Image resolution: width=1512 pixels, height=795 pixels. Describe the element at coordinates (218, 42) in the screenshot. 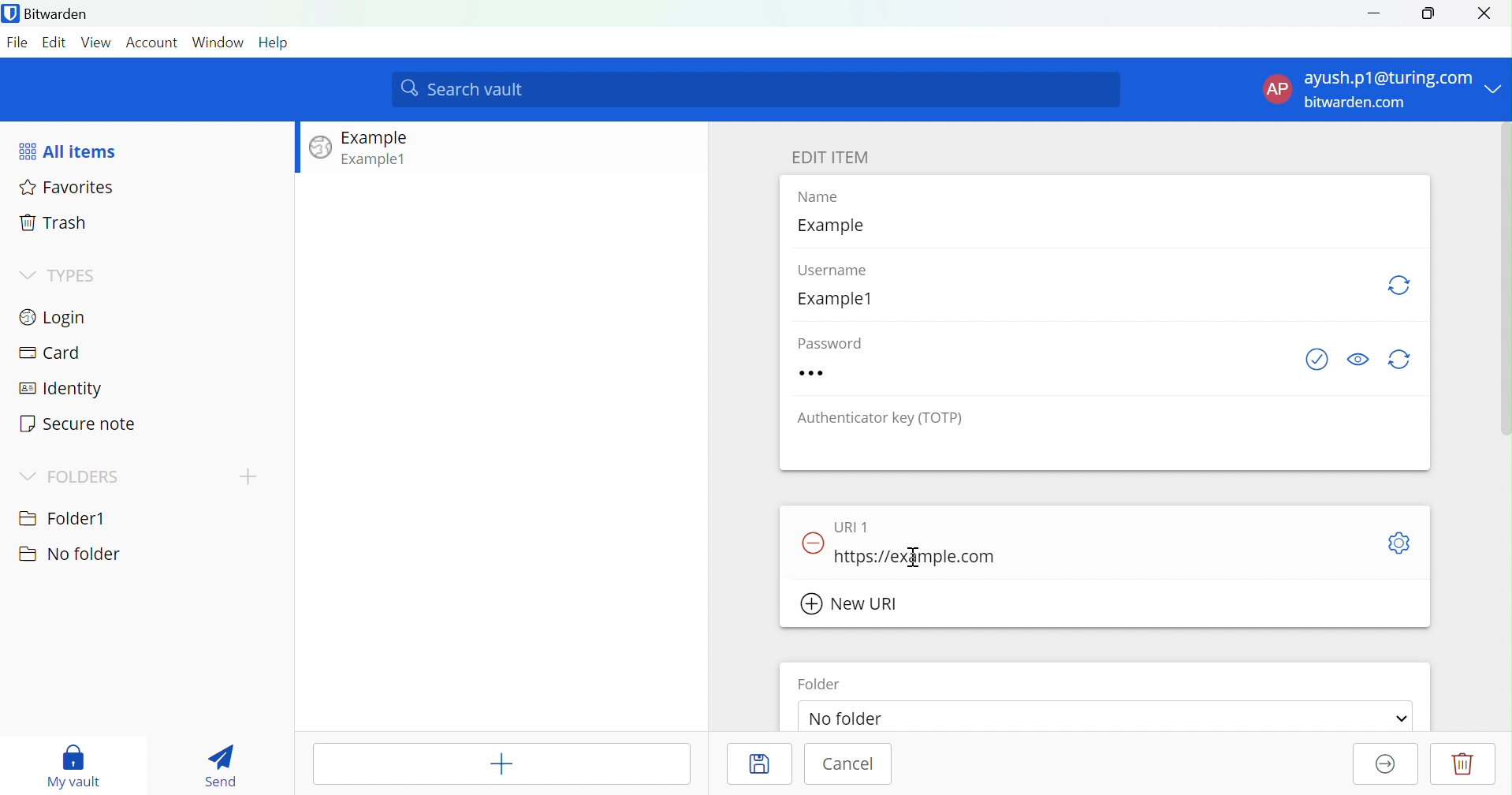

I see `Window` at that location.